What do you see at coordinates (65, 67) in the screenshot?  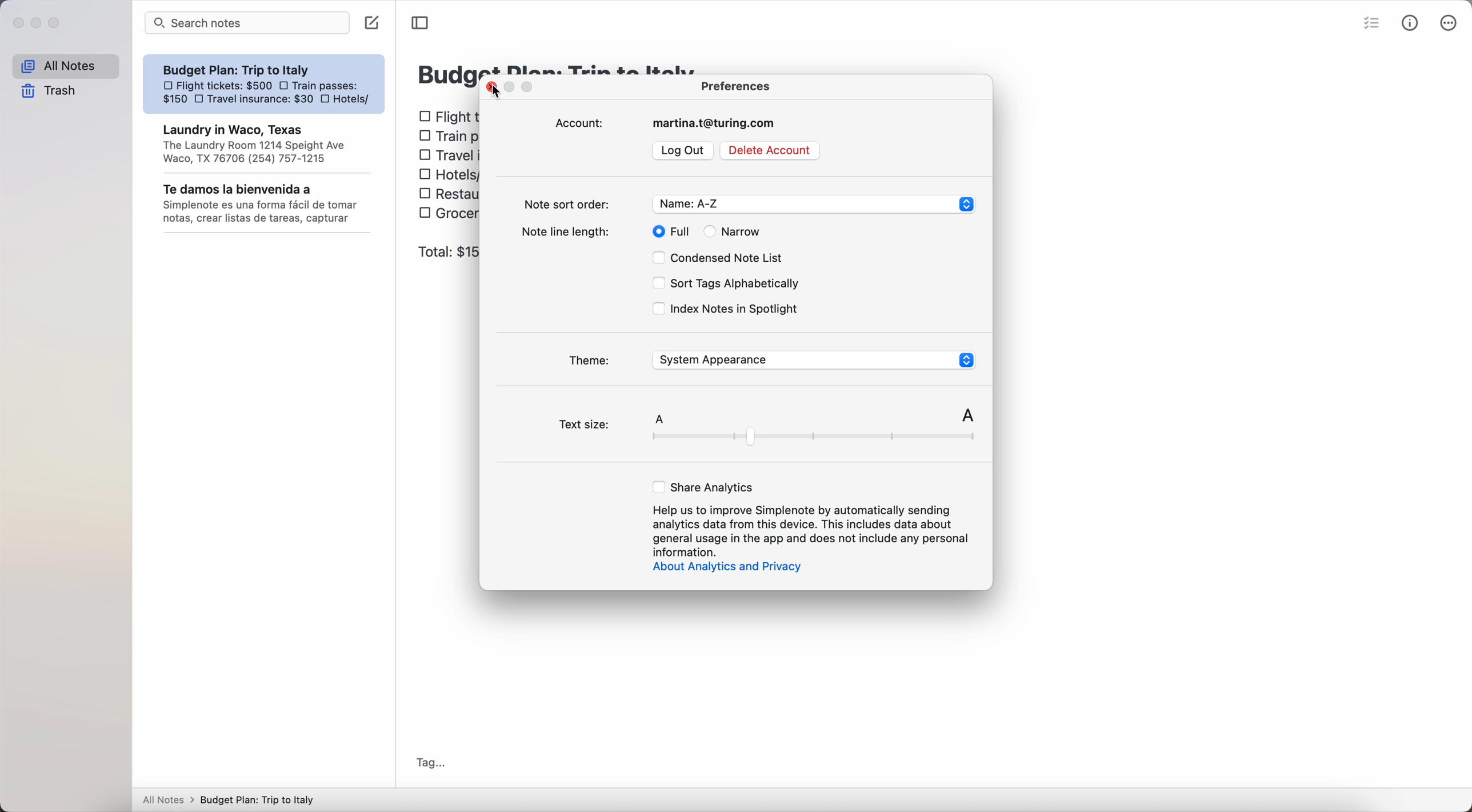 I see `All notes` at bounding box center [65, 67].